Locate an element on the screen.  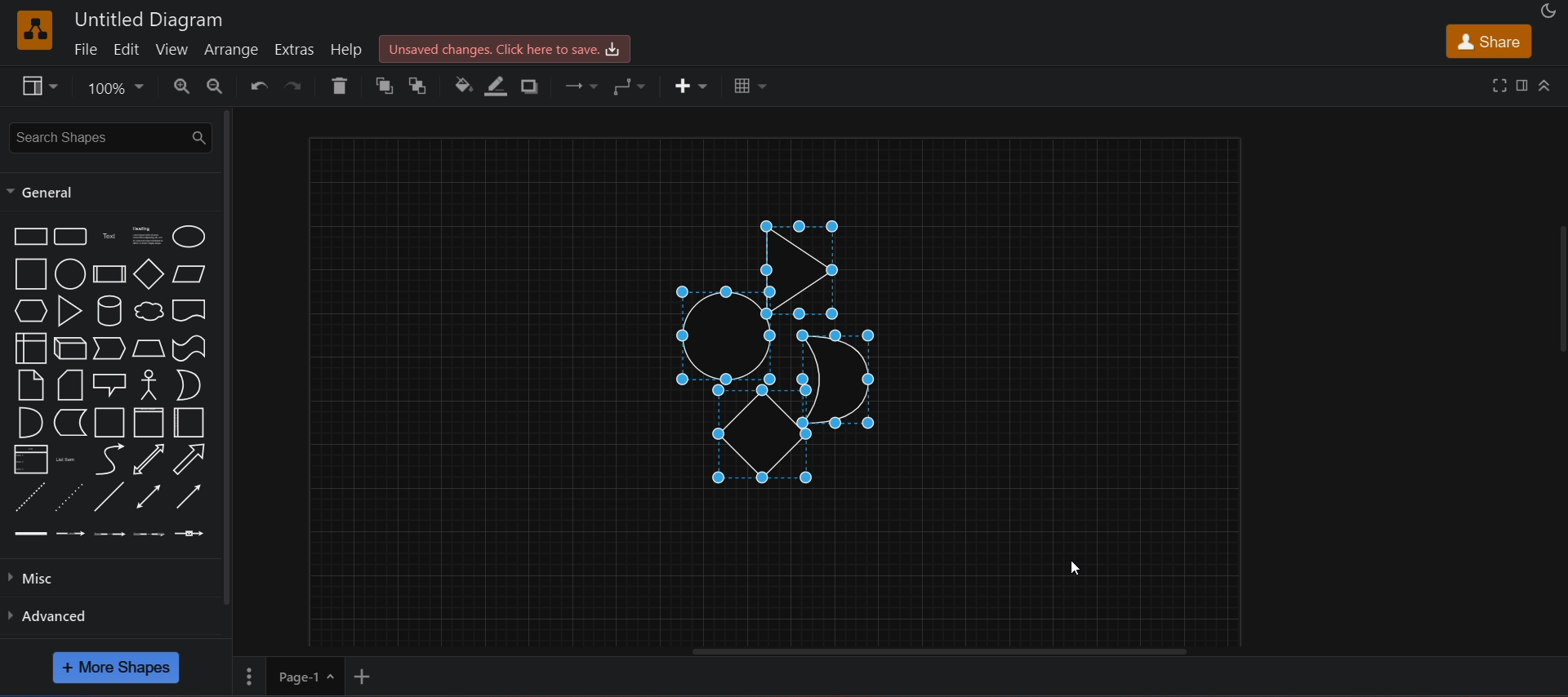
waypoints is located at coordinates (637, 87).